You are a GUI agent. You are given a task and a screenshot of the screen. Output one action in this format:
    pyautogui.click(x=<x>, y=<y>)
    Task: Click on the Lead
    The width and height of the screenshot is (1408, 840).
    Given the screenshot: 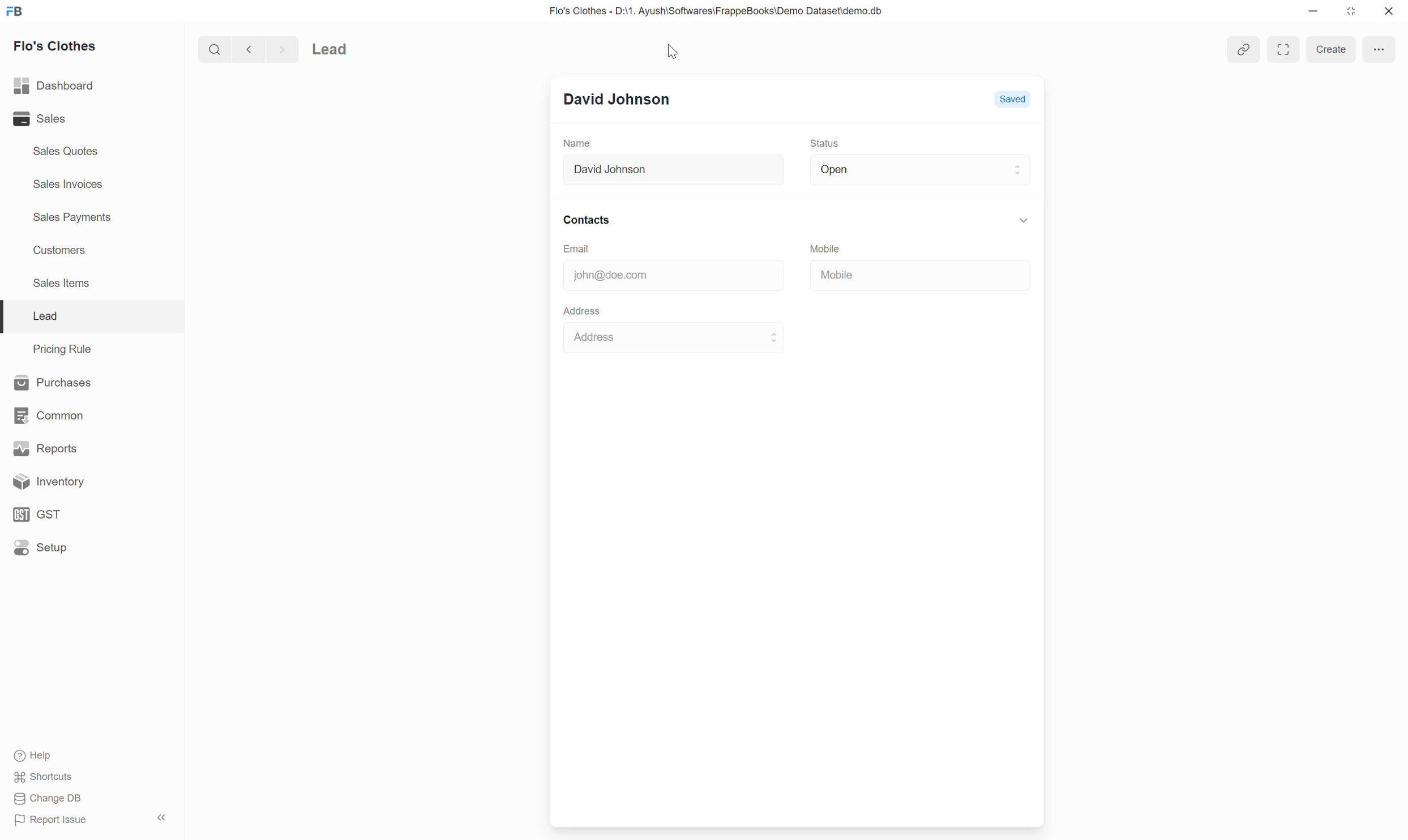 What is the action you would take?
    pyautogui.click(x=361, y=48)
    